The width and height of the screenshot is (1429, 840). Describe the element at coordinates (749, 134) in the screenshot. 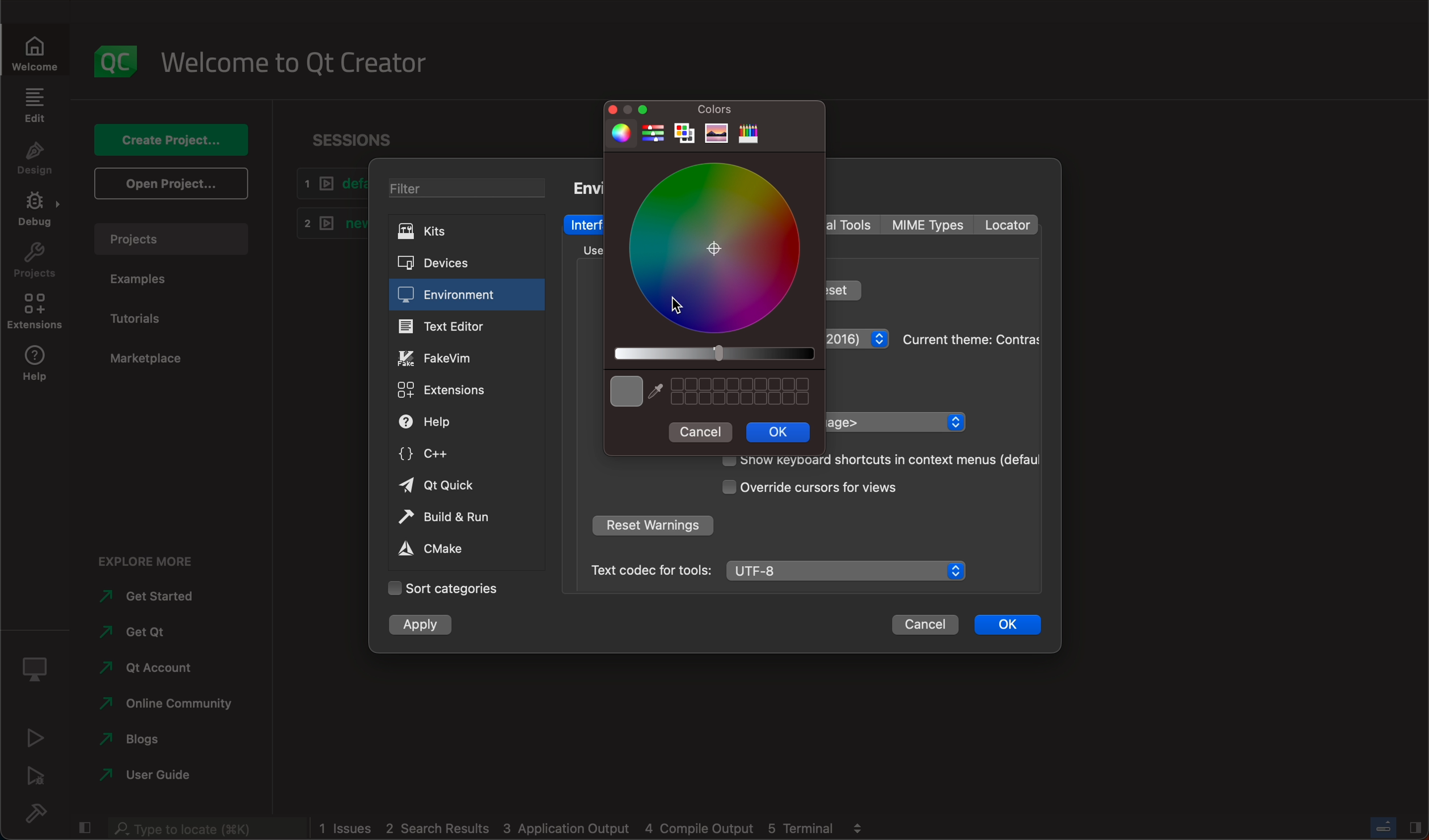

I see `color pencils` at that location.